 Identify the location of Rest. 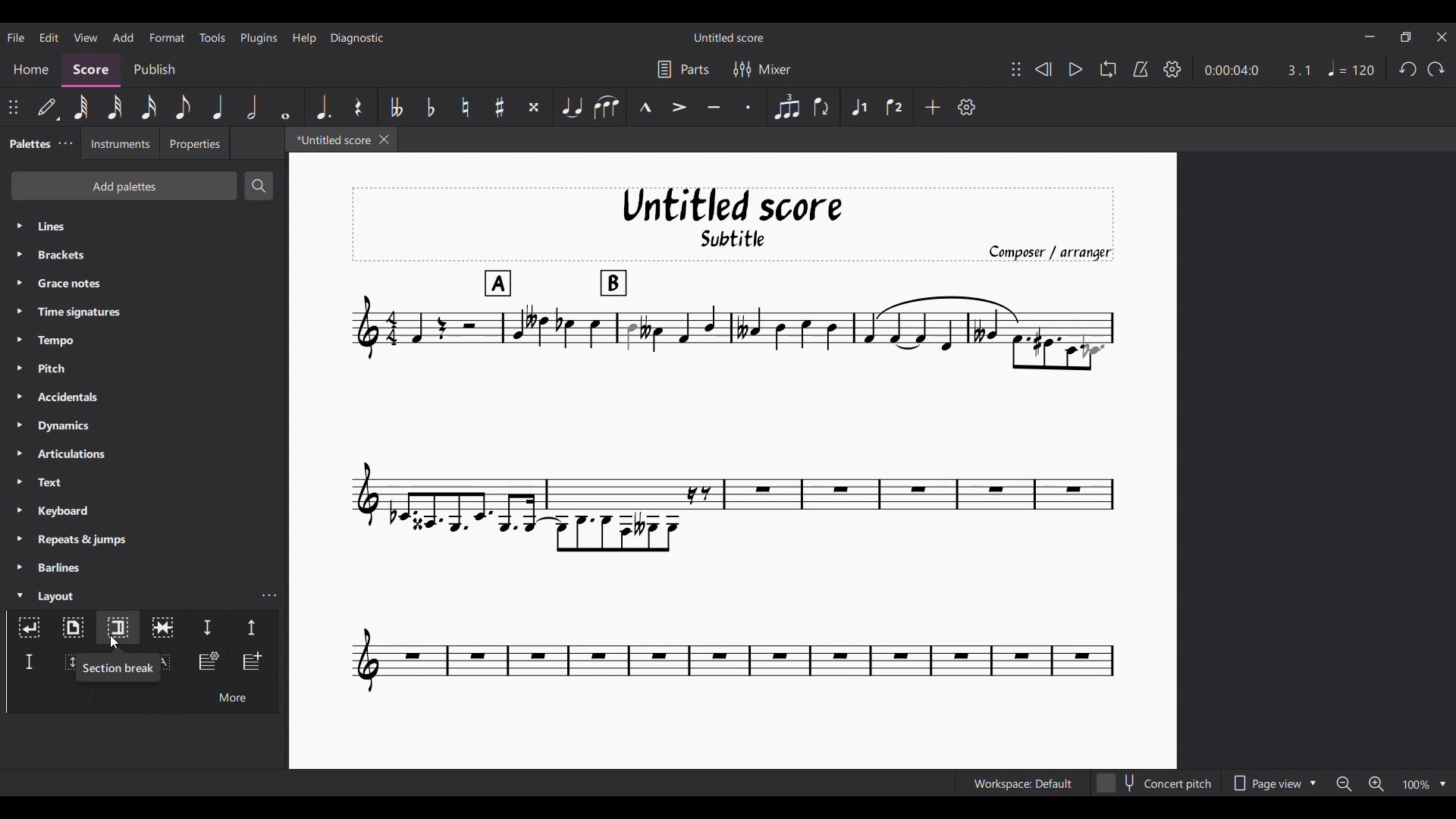
(359, 107).